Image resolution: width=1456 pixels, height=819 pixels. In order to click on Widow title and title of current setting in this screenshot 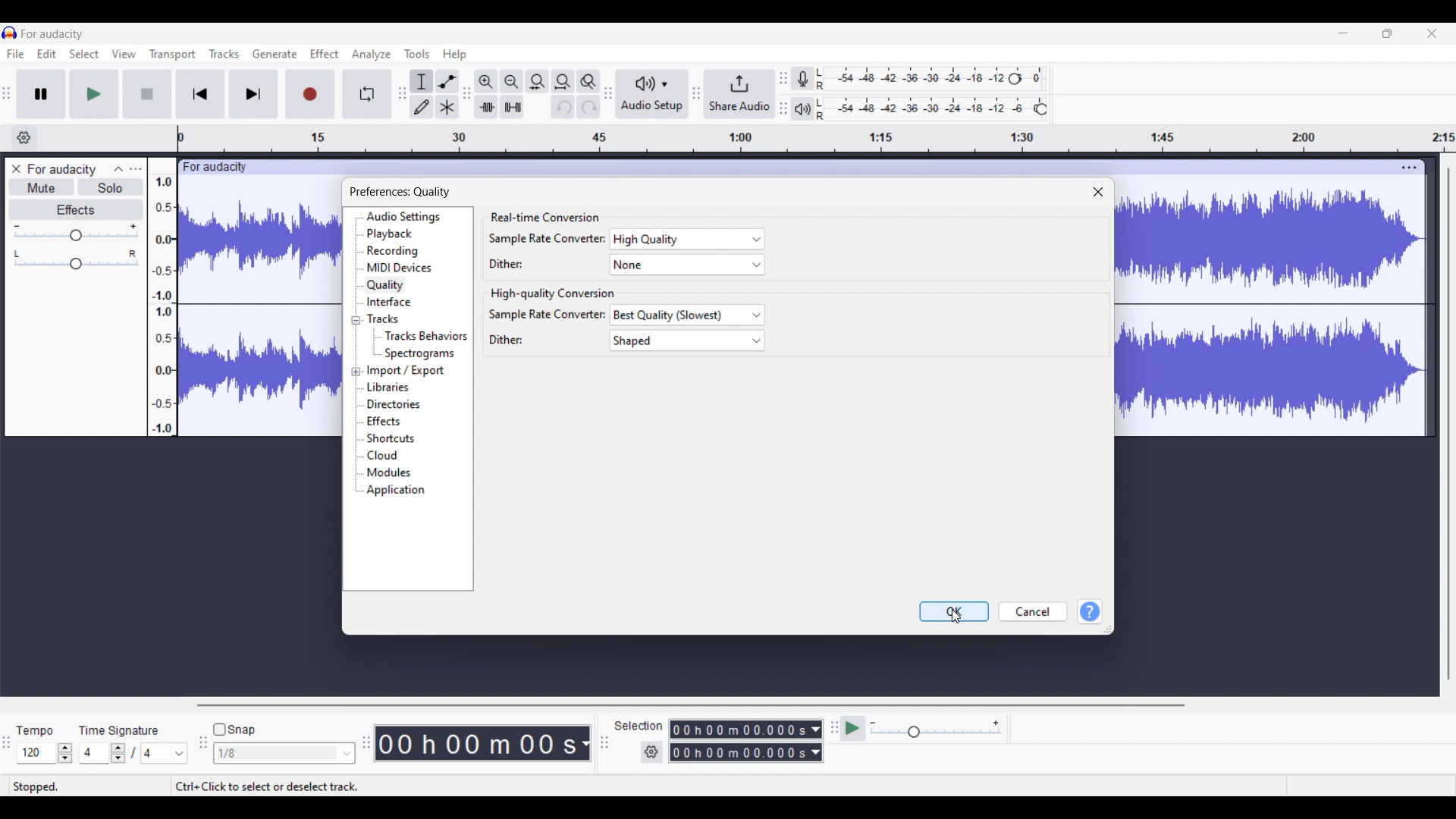, I will do `click(400, 192)`.